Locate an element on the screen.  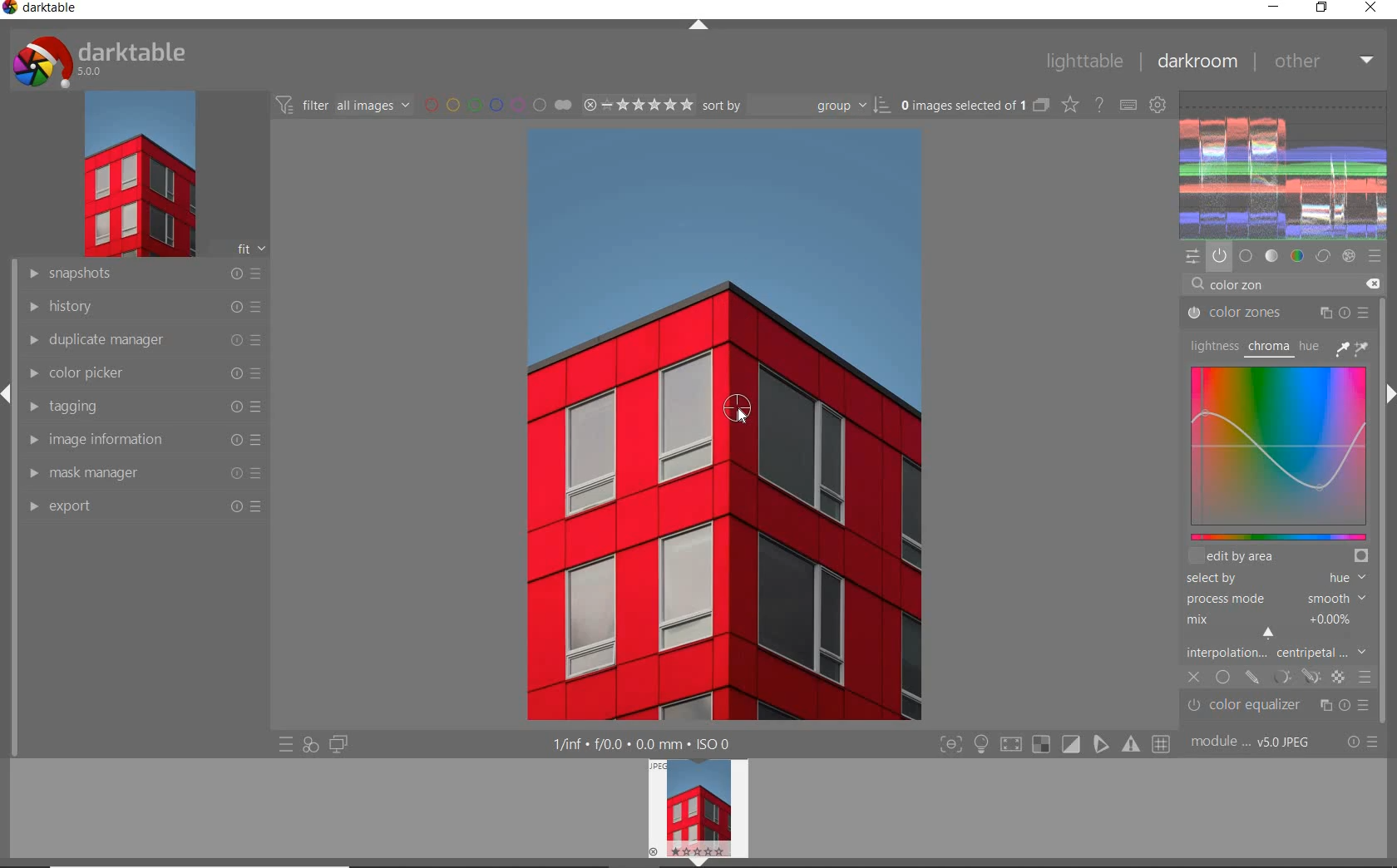
INTERPOLATION is located at coordinates (1276, 652).